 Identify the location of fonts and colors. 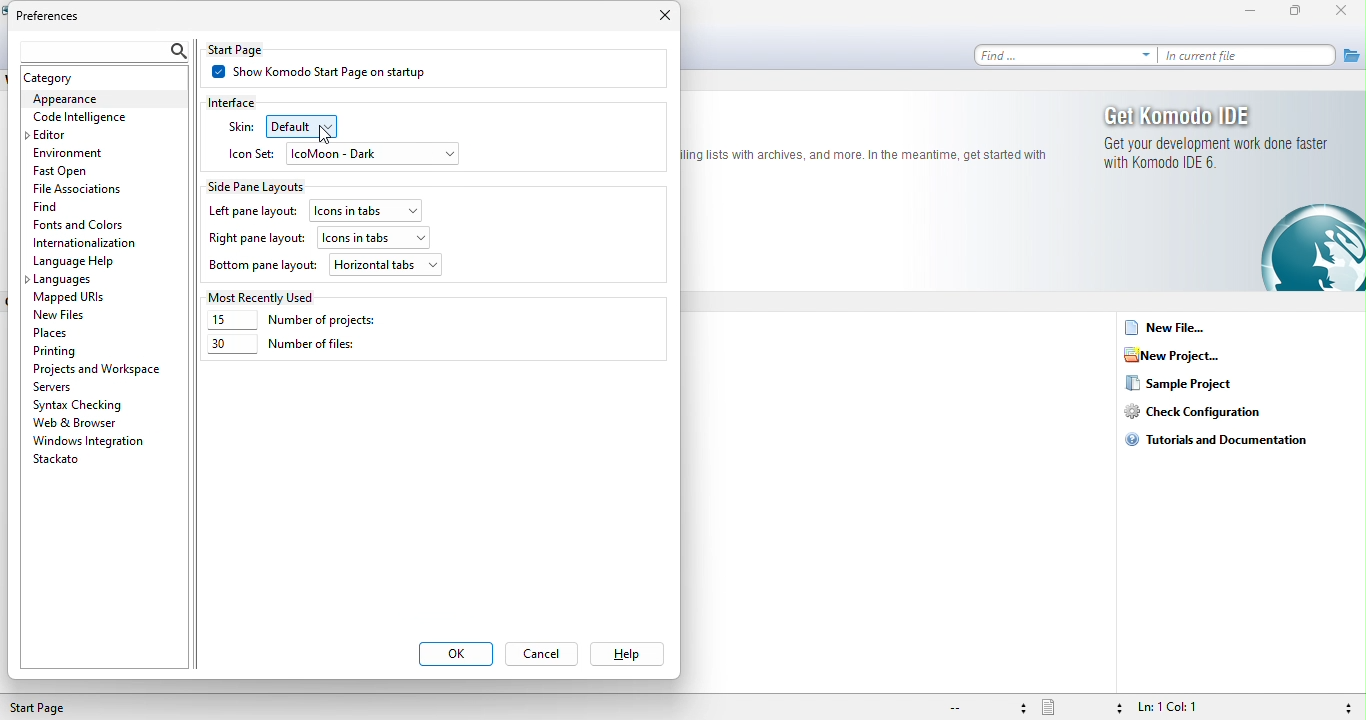
(82, 226).